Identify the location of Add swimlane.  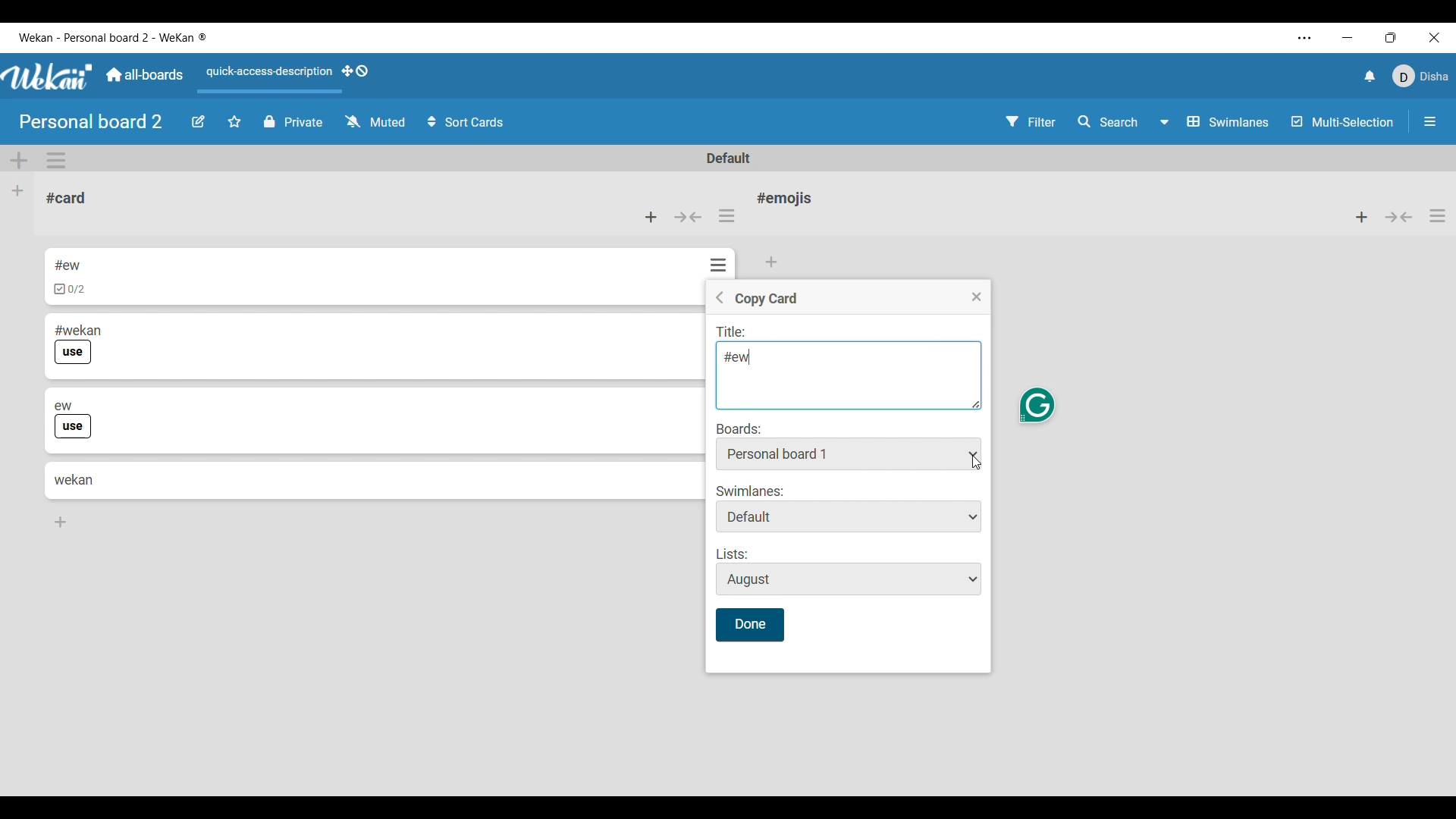
(20, 161).